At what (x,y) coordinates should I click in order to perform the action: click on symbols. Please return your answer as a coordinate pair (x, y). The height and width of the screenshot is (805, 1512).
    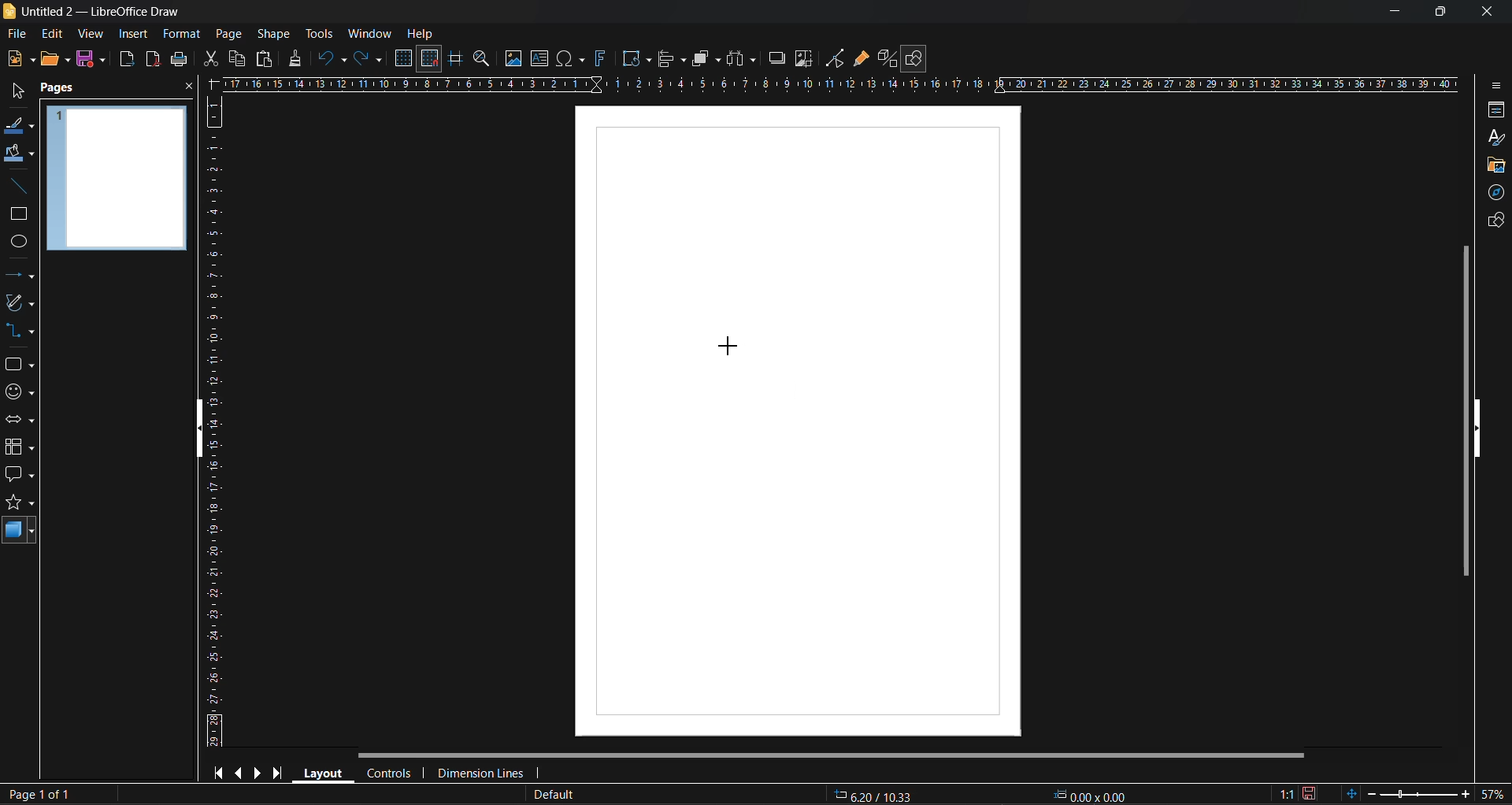
    Looking at the image, I should click on (17, 391).